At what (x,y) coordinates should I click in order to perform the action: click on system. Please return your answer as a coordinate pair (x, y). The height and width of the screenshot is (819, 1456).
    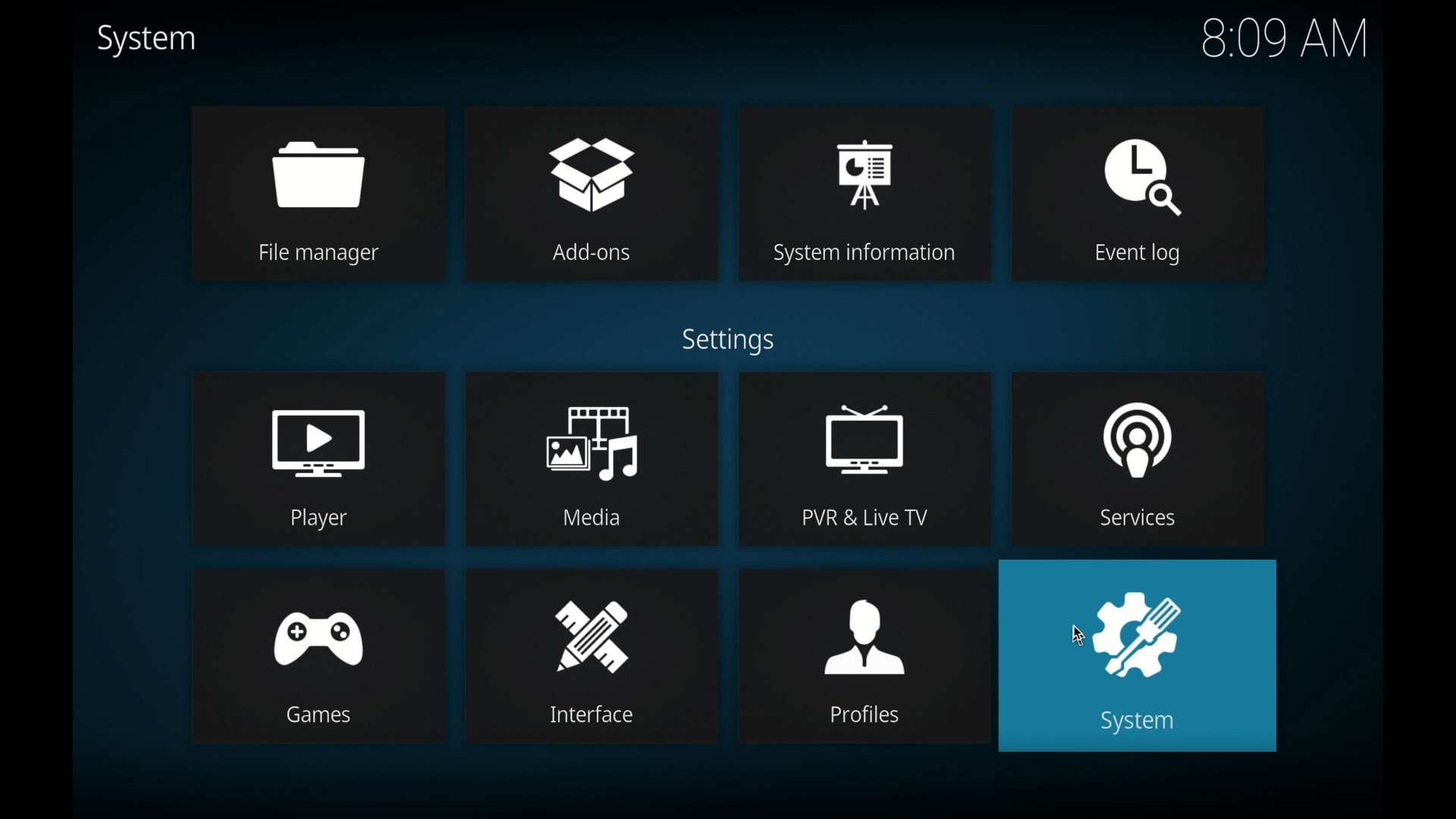
    Looking at the image, I should click on (146, 40).